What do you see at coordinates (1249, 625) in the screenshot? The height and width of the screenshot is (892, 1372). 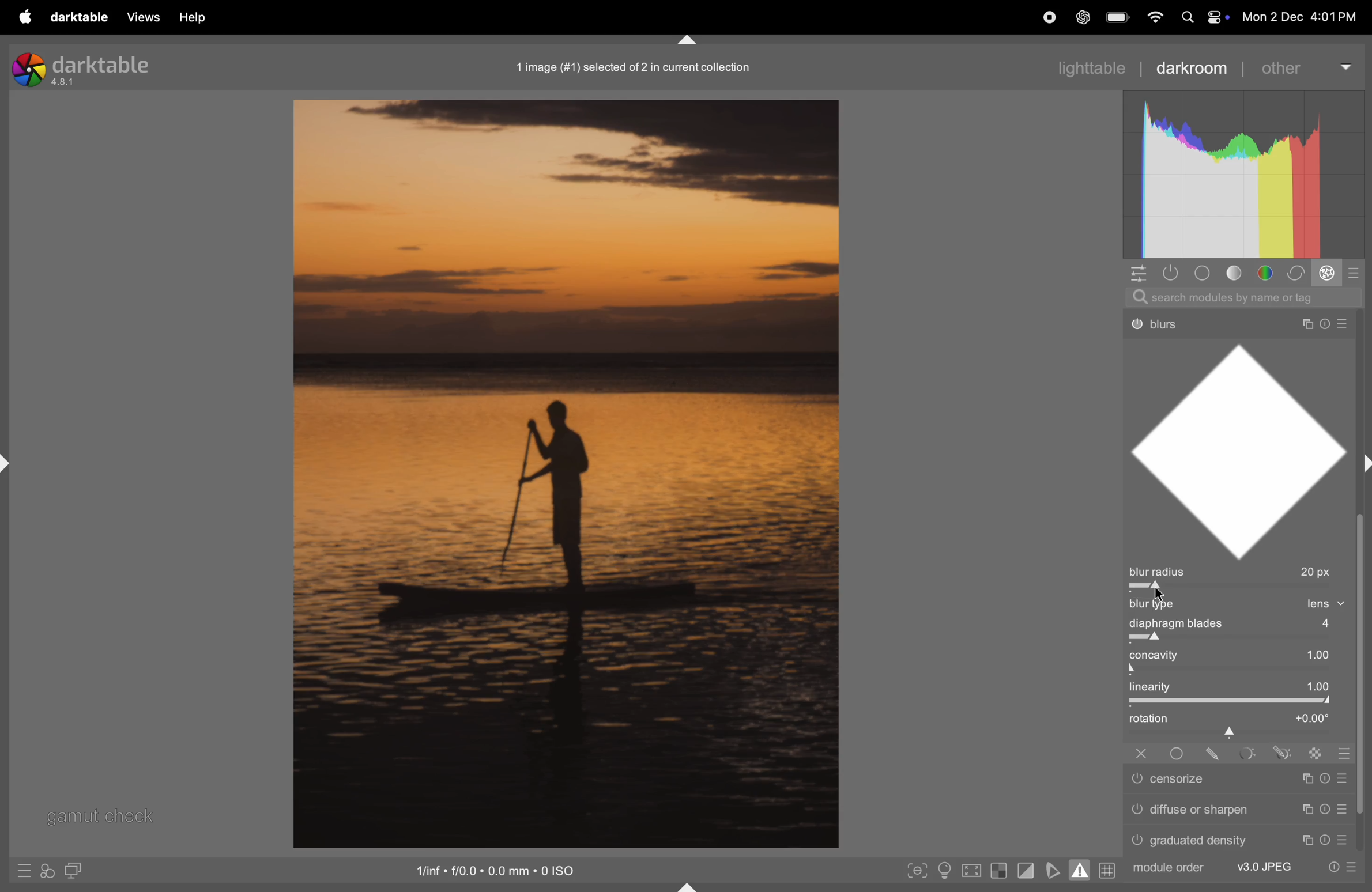 I see `displaying blades` at bounding box center [1249, 625].